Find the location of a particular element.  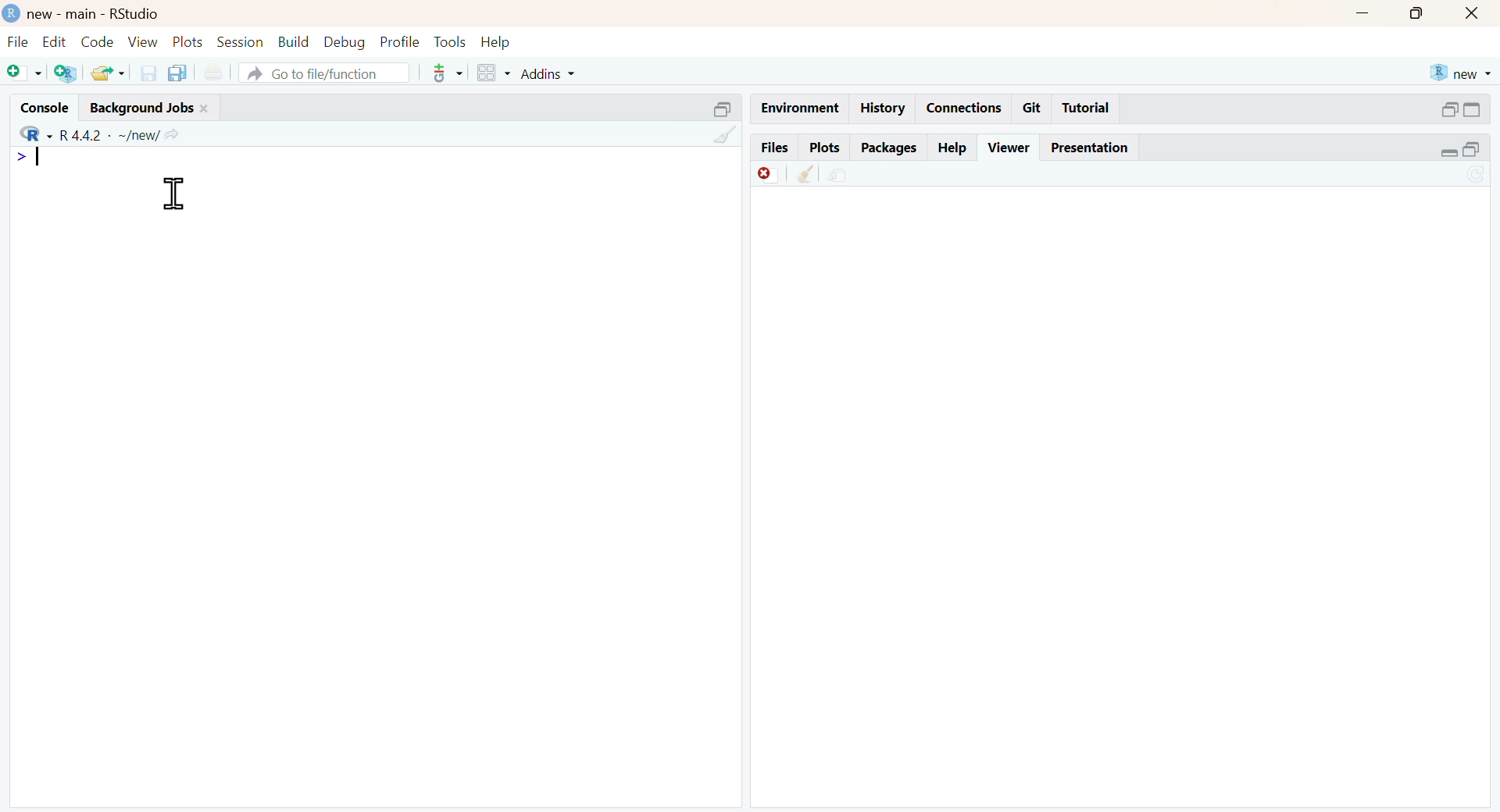

viewer is located at coordinates (1009, 148).